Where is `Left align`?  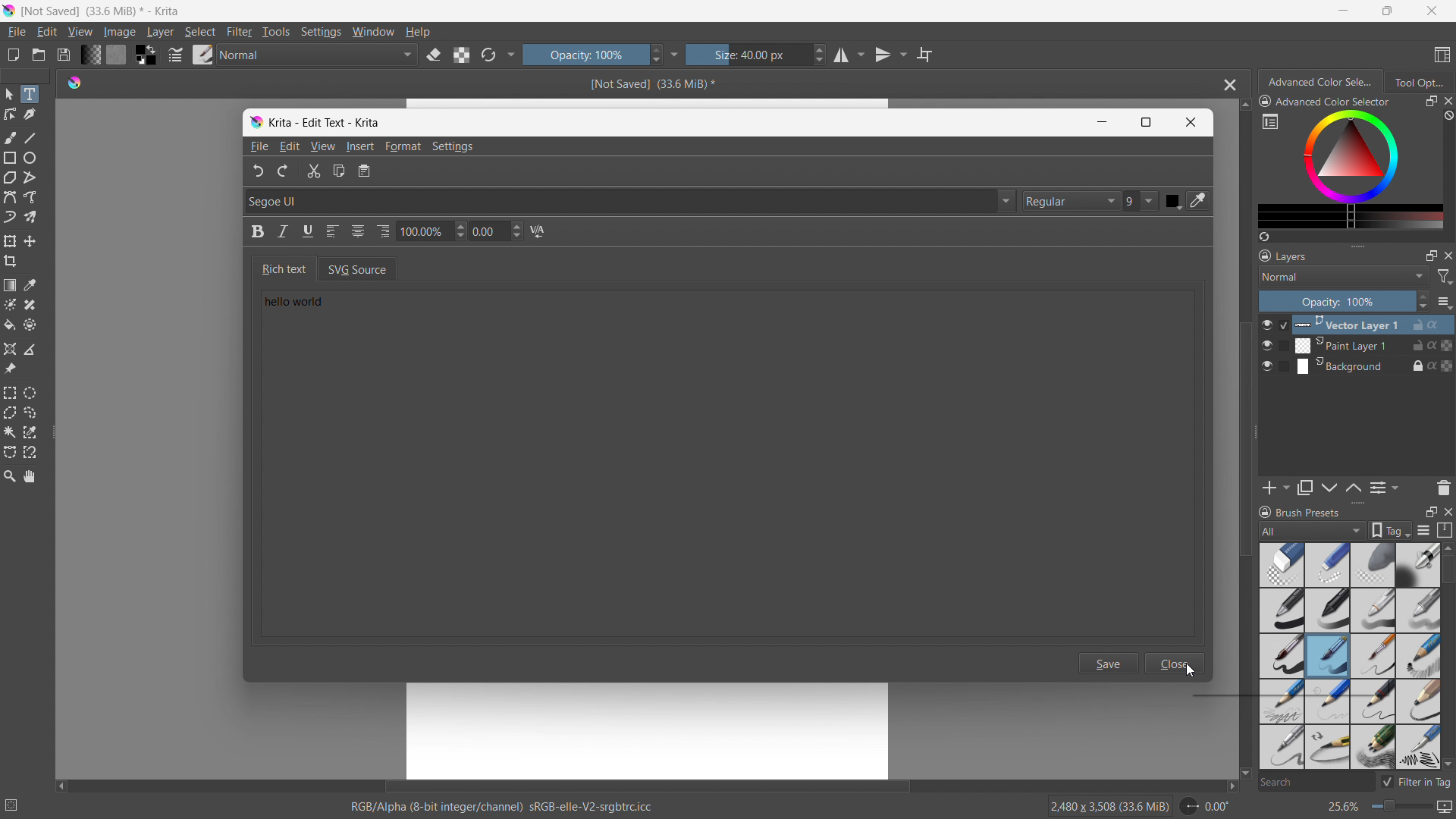
Left align is located at coordinates (334, 232).